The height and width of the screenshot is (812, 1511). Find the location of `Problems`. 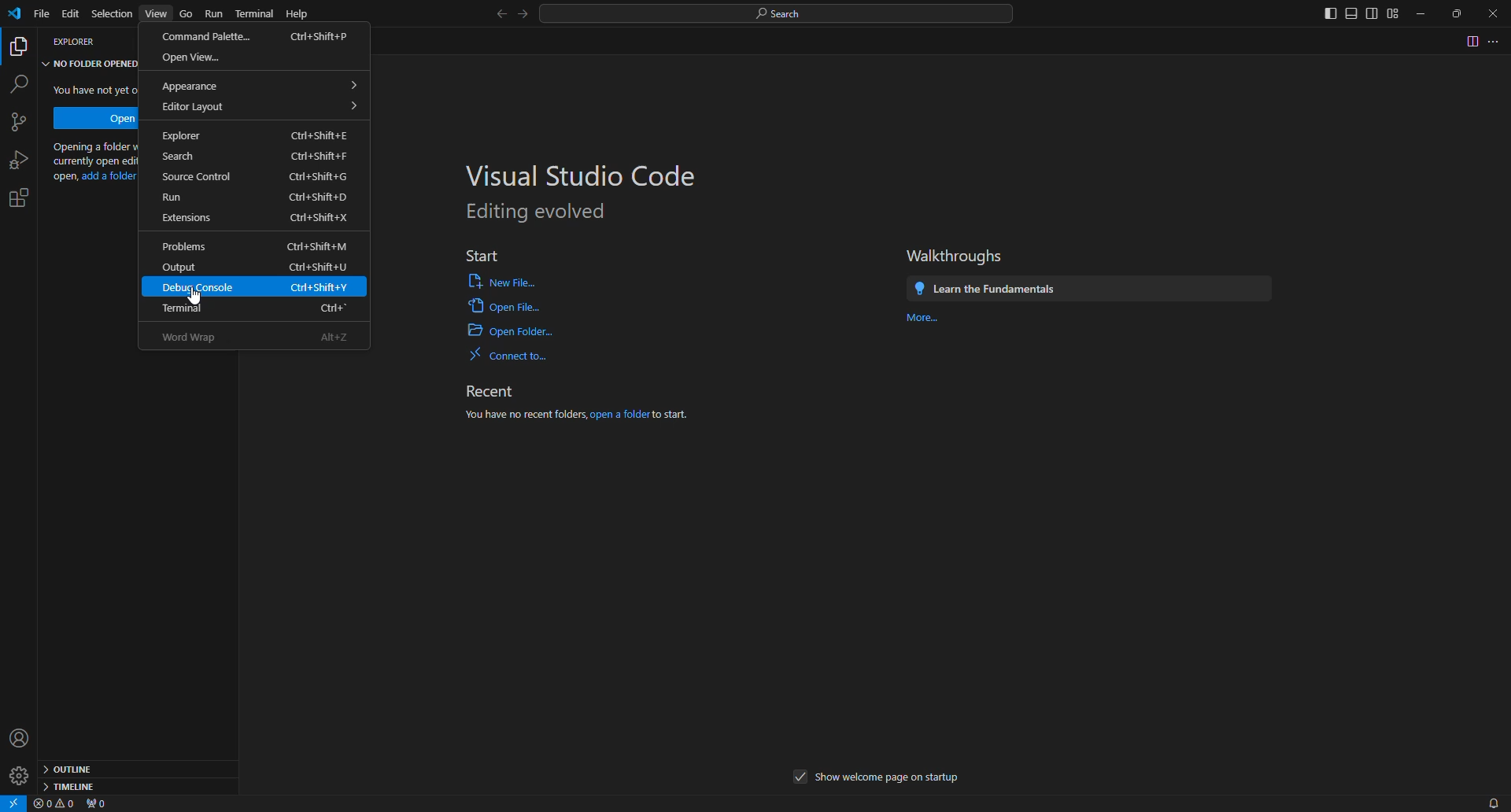

Problems is located at coordinates (258, 244).